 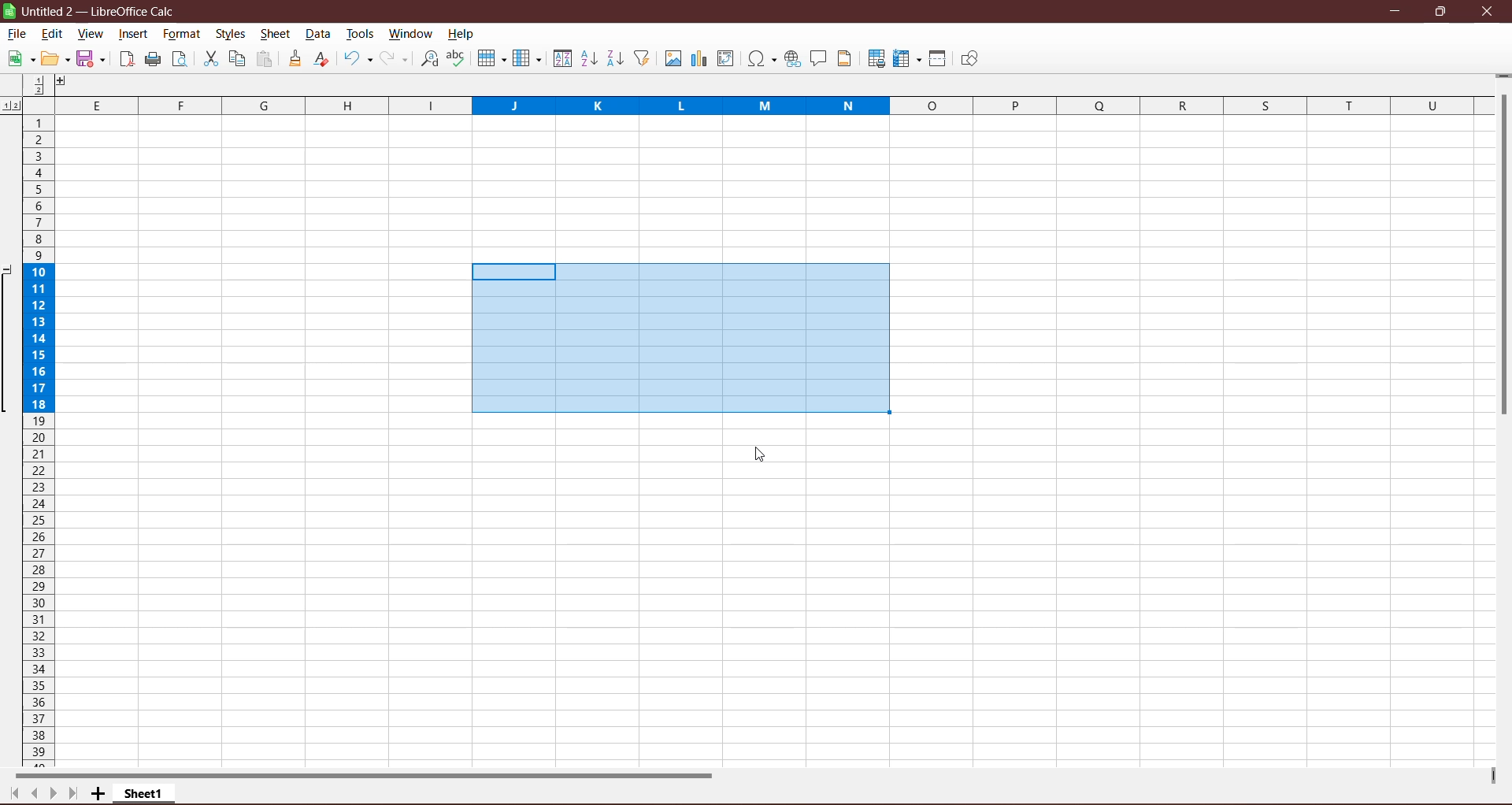 What do you see at coordinates (361, 33) in the screenshot?
I see `Tools` at bounding box center [361, 33].